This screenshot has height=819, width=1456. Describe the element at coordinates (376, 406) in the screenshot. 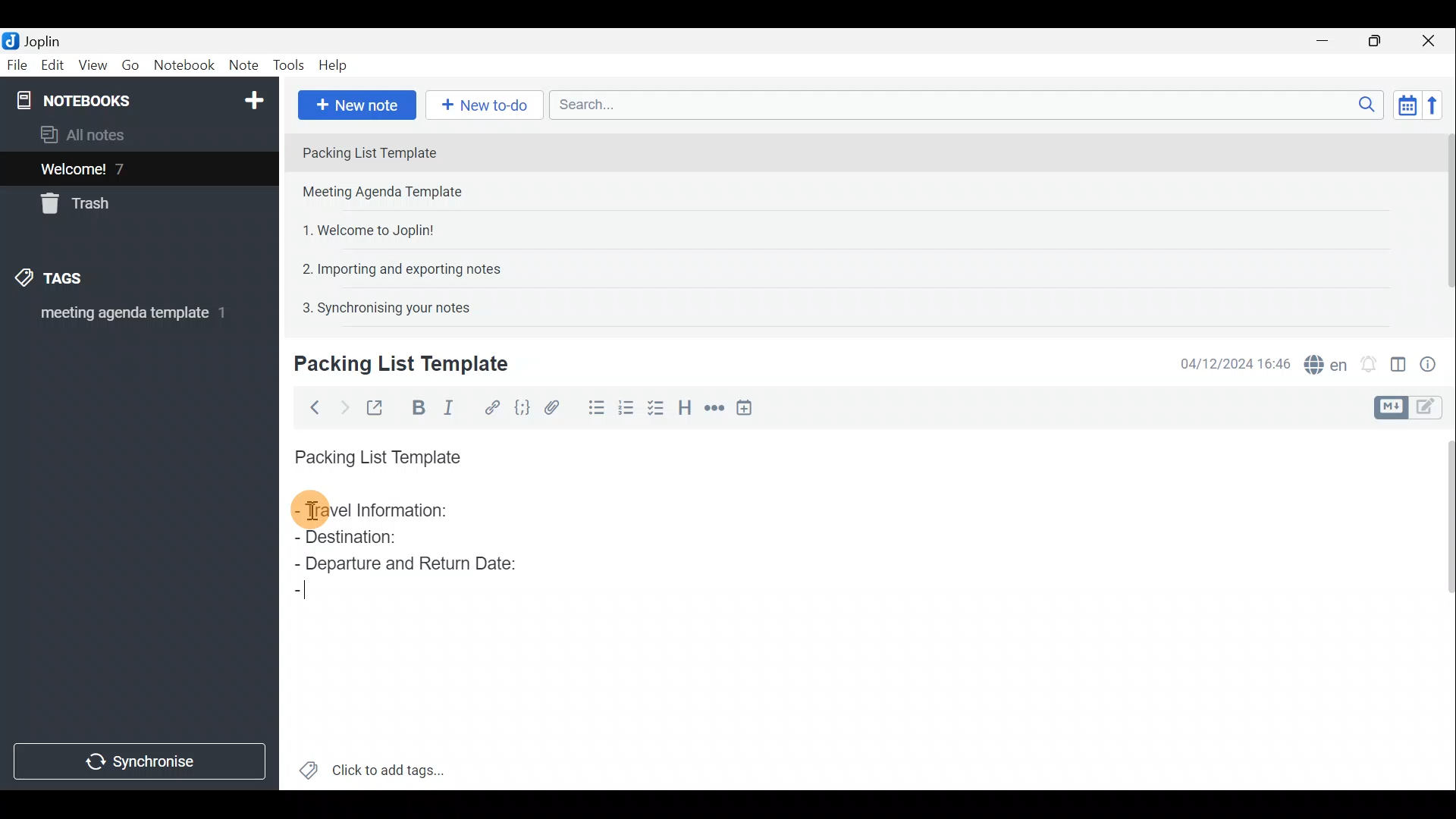

I see `Toggle external editing` at that location.